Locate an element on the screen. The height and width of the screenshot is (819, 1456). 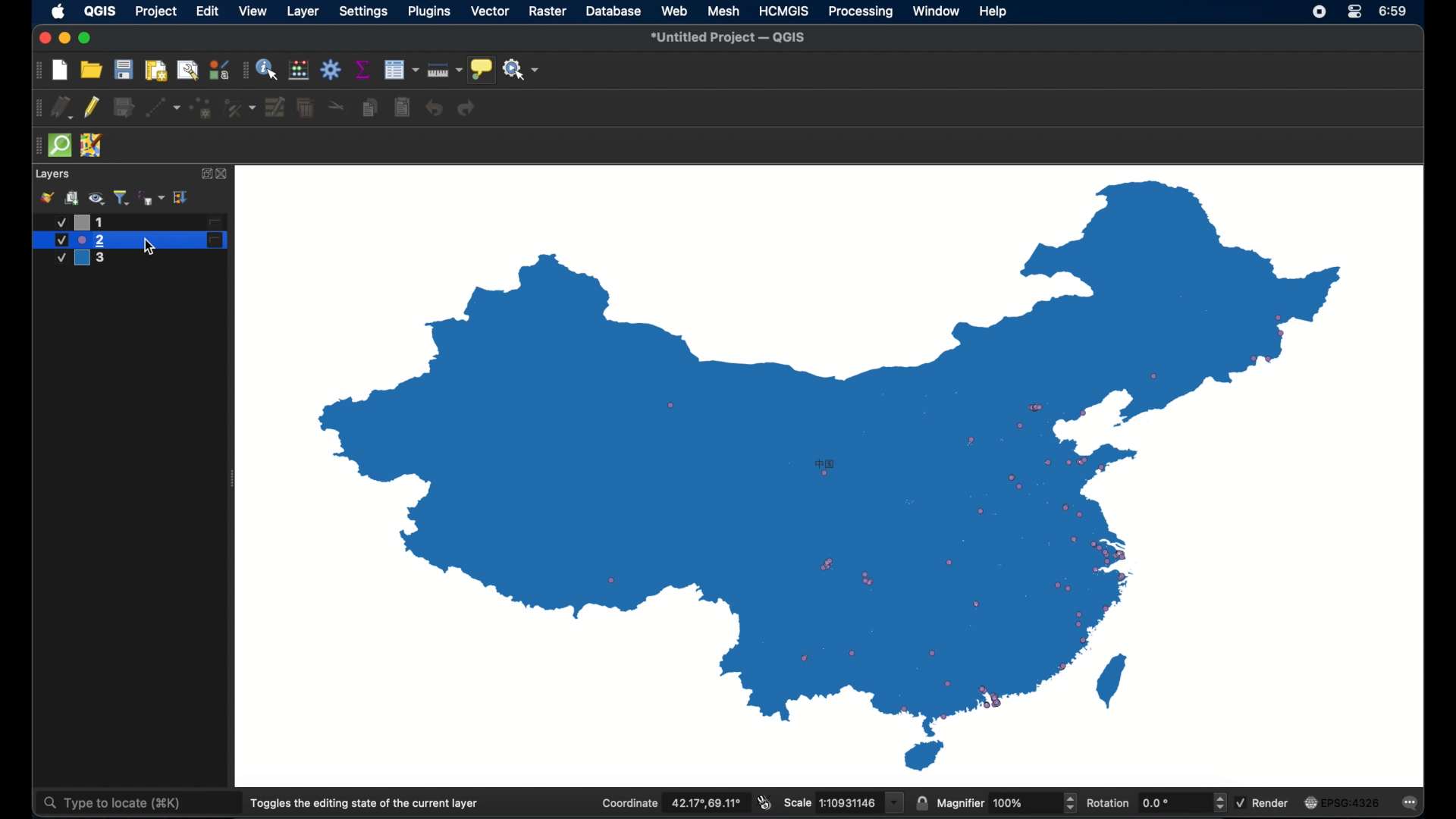
QGIS is located at coordinates (102, 11).